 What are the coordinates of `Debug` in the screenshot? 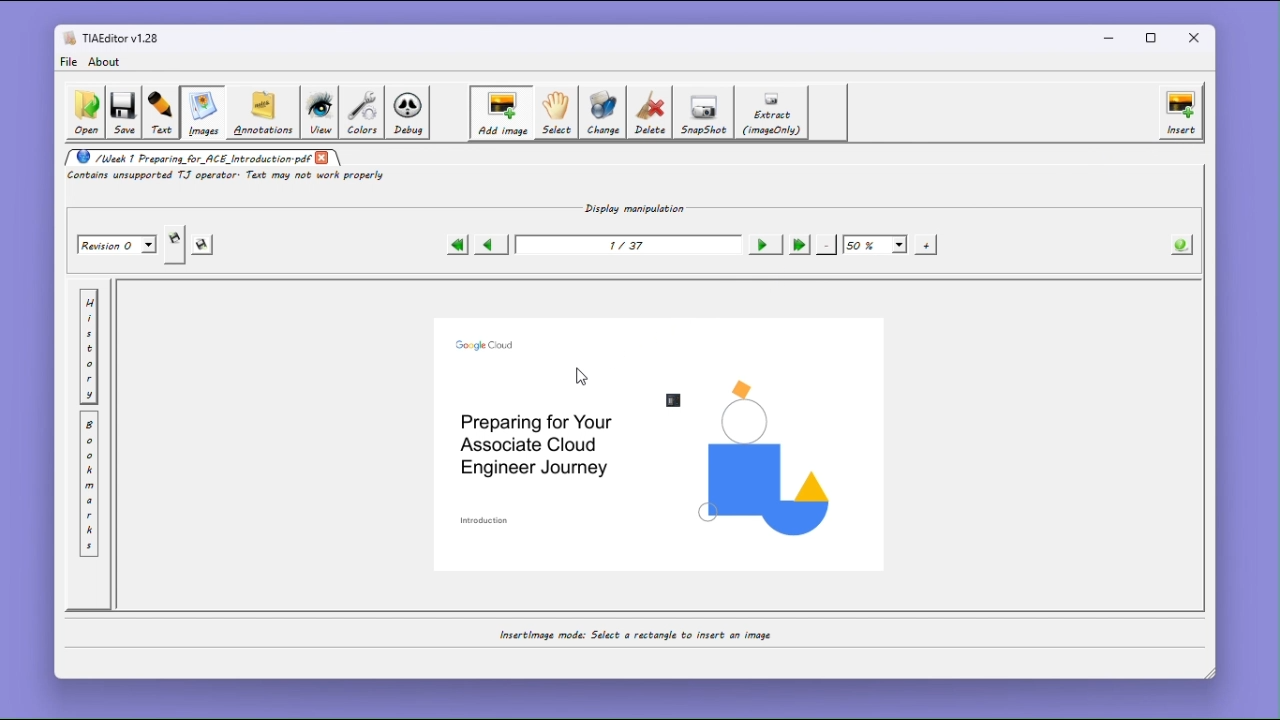 It's located at (410, 113).